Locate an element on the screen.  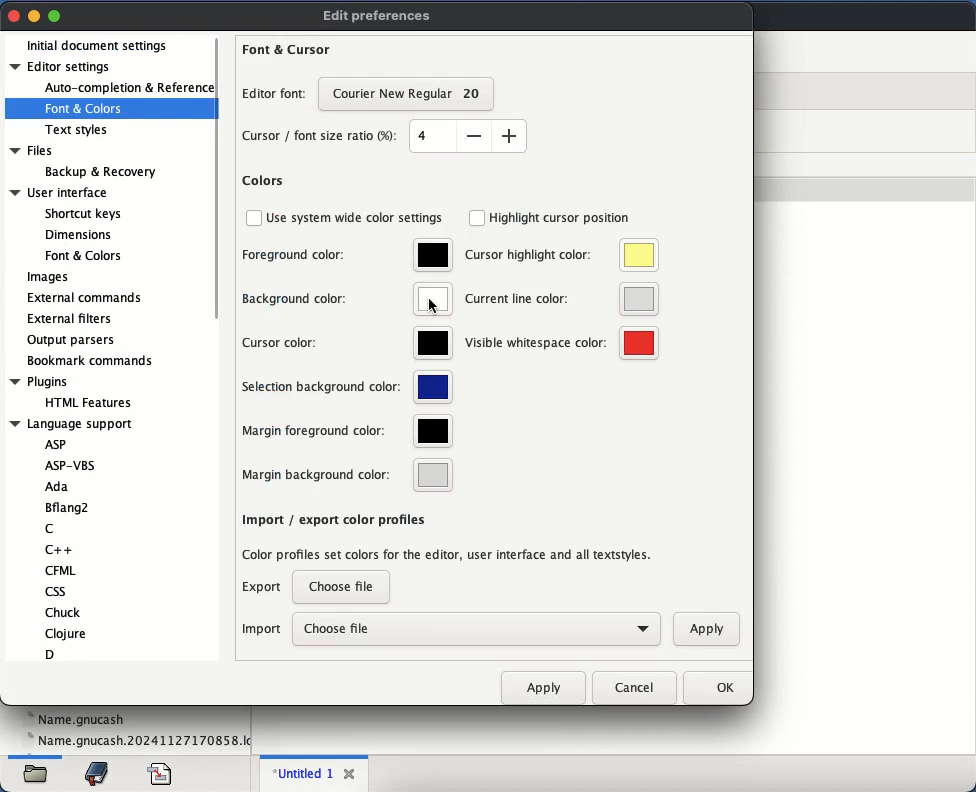
auto-completion and reference is located at coordinates (124, 87).